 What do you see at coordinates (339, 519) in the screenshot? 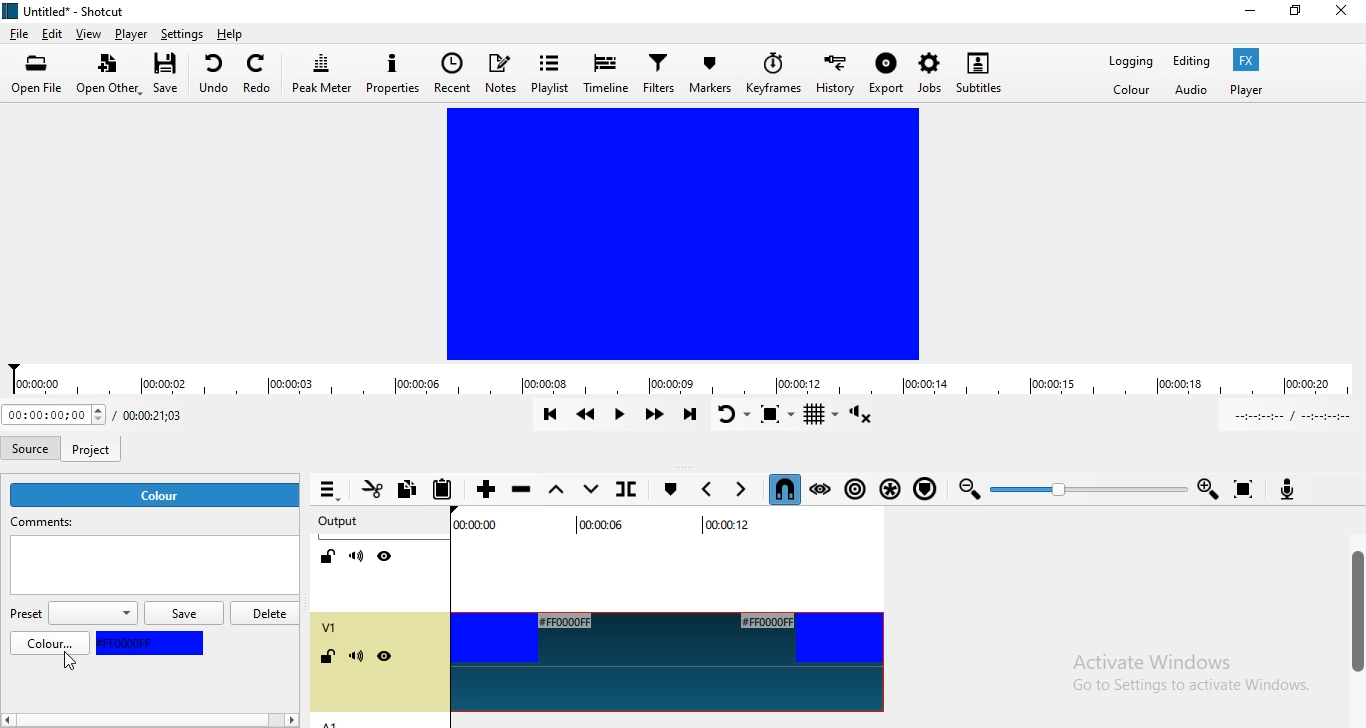
I see `Output` at bounding box center [339, 519].